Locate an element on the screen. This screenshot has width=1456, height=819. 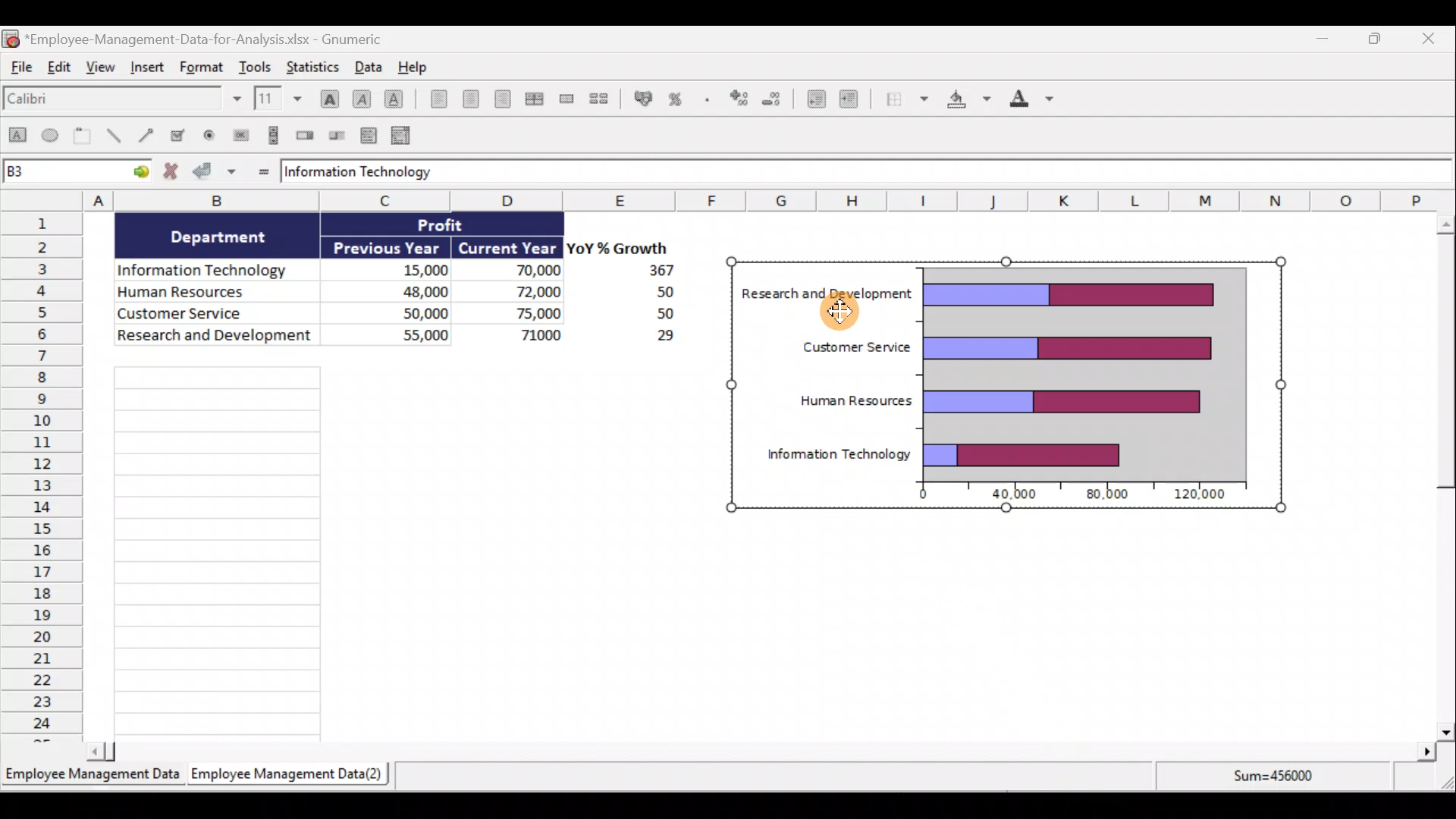
Close is located at coordinates (1438, 38).